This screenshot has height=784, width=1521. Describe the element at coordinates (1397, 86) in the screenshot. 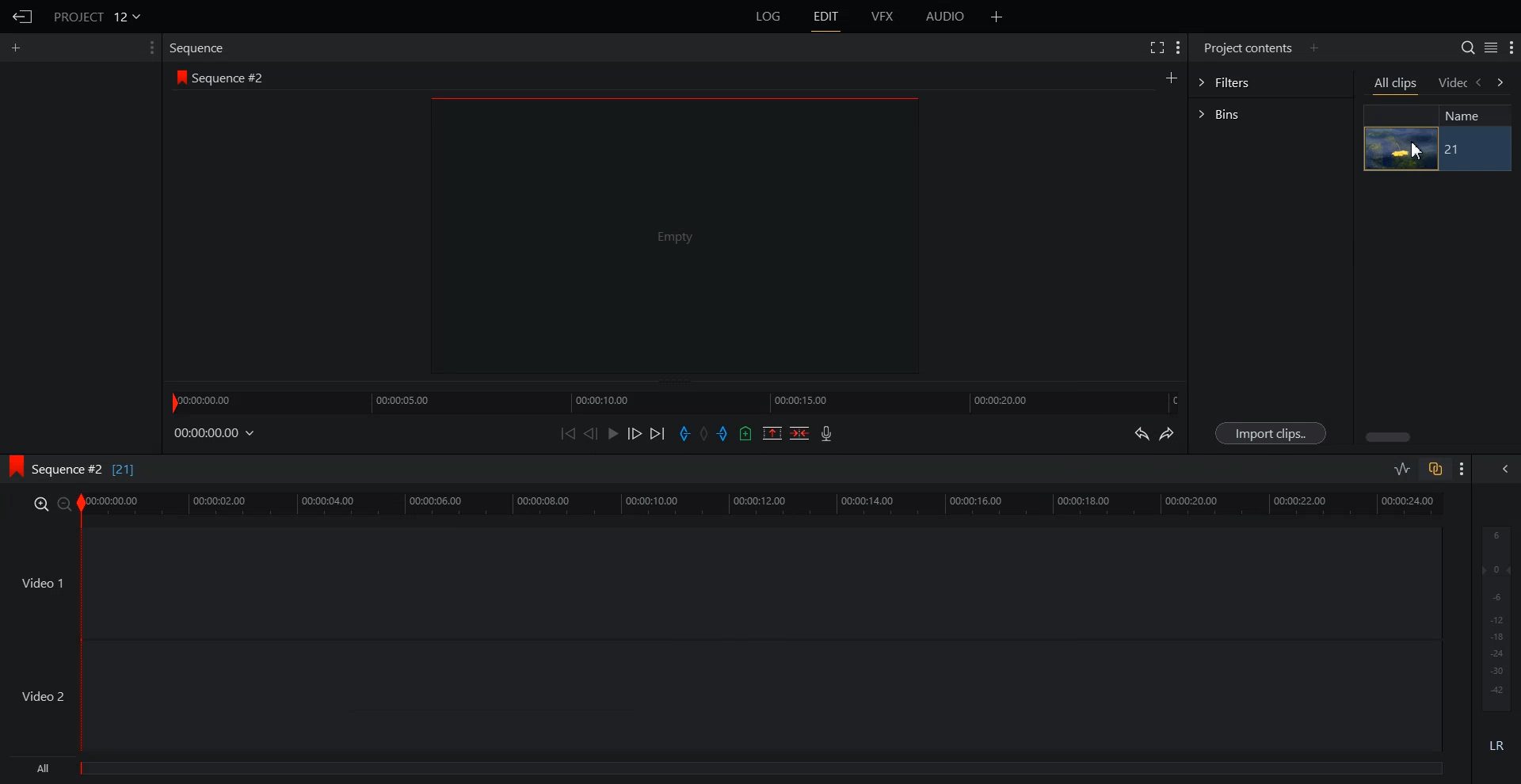

I see `All clips` at that location.